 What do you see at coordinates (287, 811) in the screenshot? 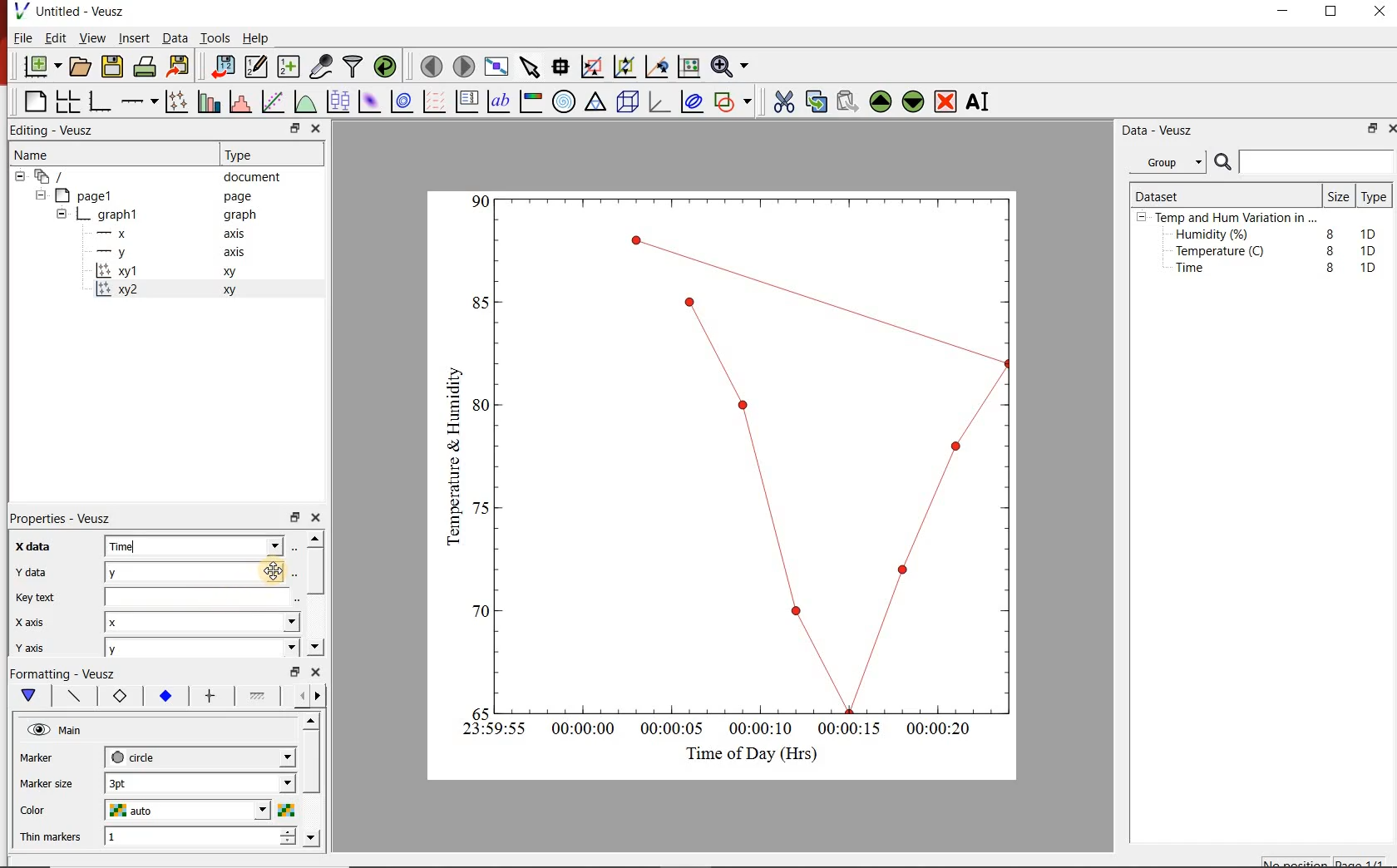
I see `Select color` at bounding box center [287, 811].